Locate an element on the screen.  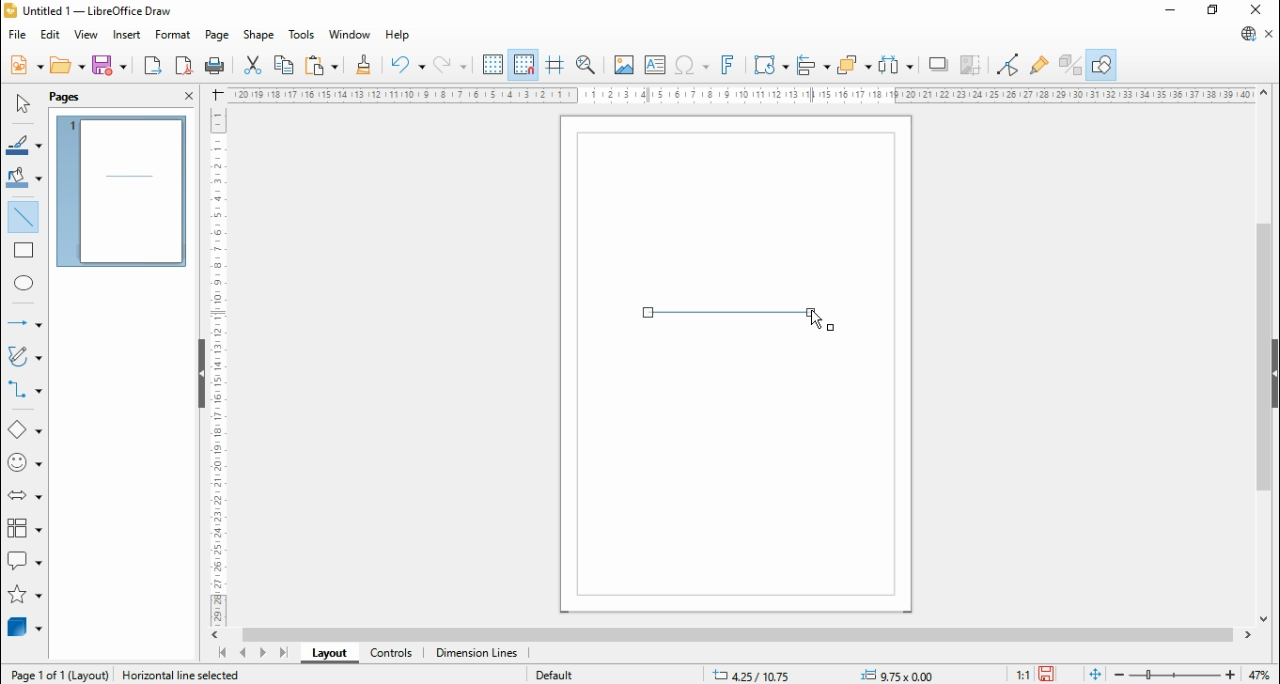
close pane is located at coordinates (188, 96).